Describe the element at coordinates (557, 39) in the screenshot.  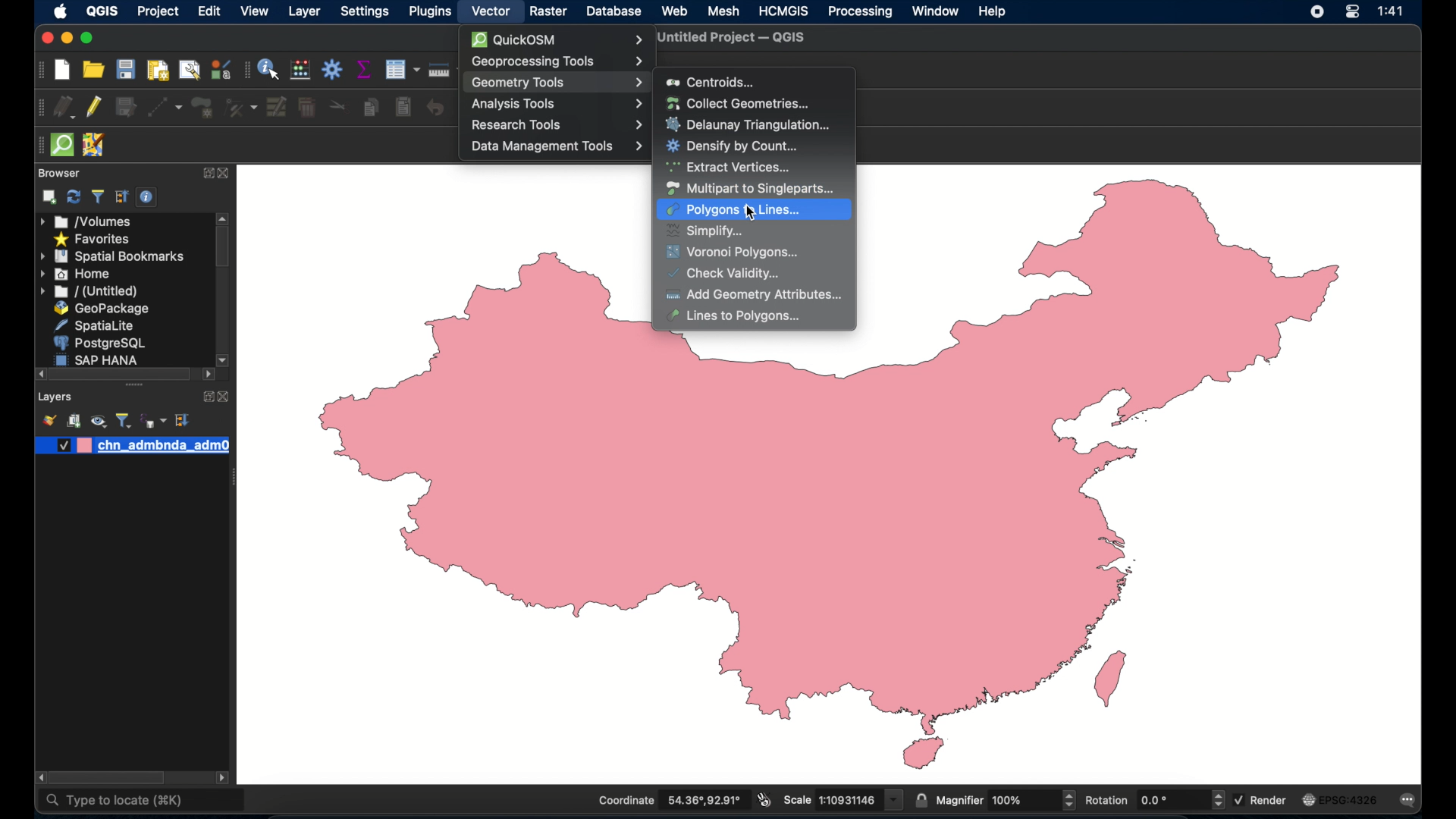
I see `quick osm` at that location.